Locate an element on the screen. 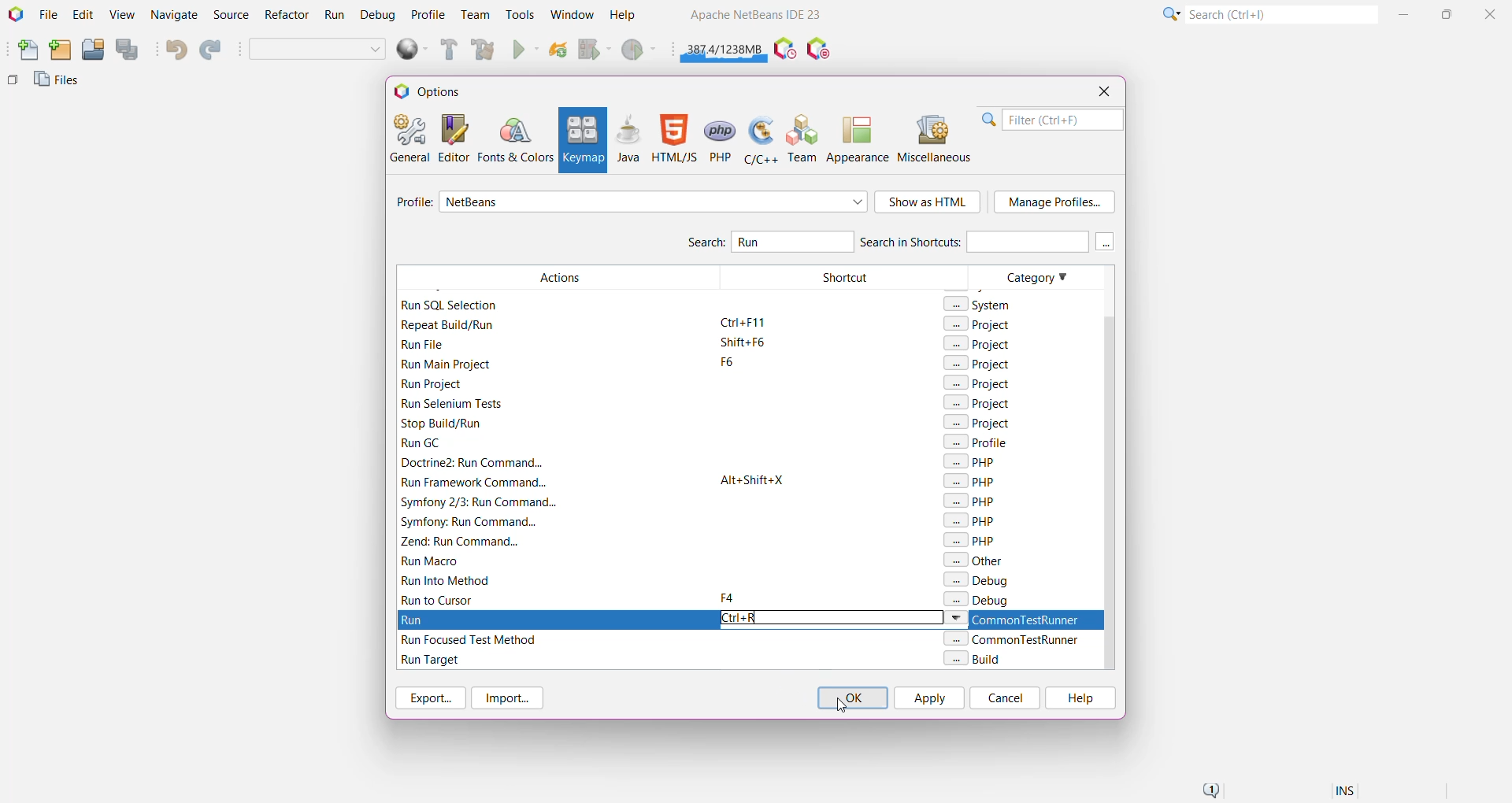 The height and width of the screenshot is (803, 1512). New File is located at coordinates (24, 51).